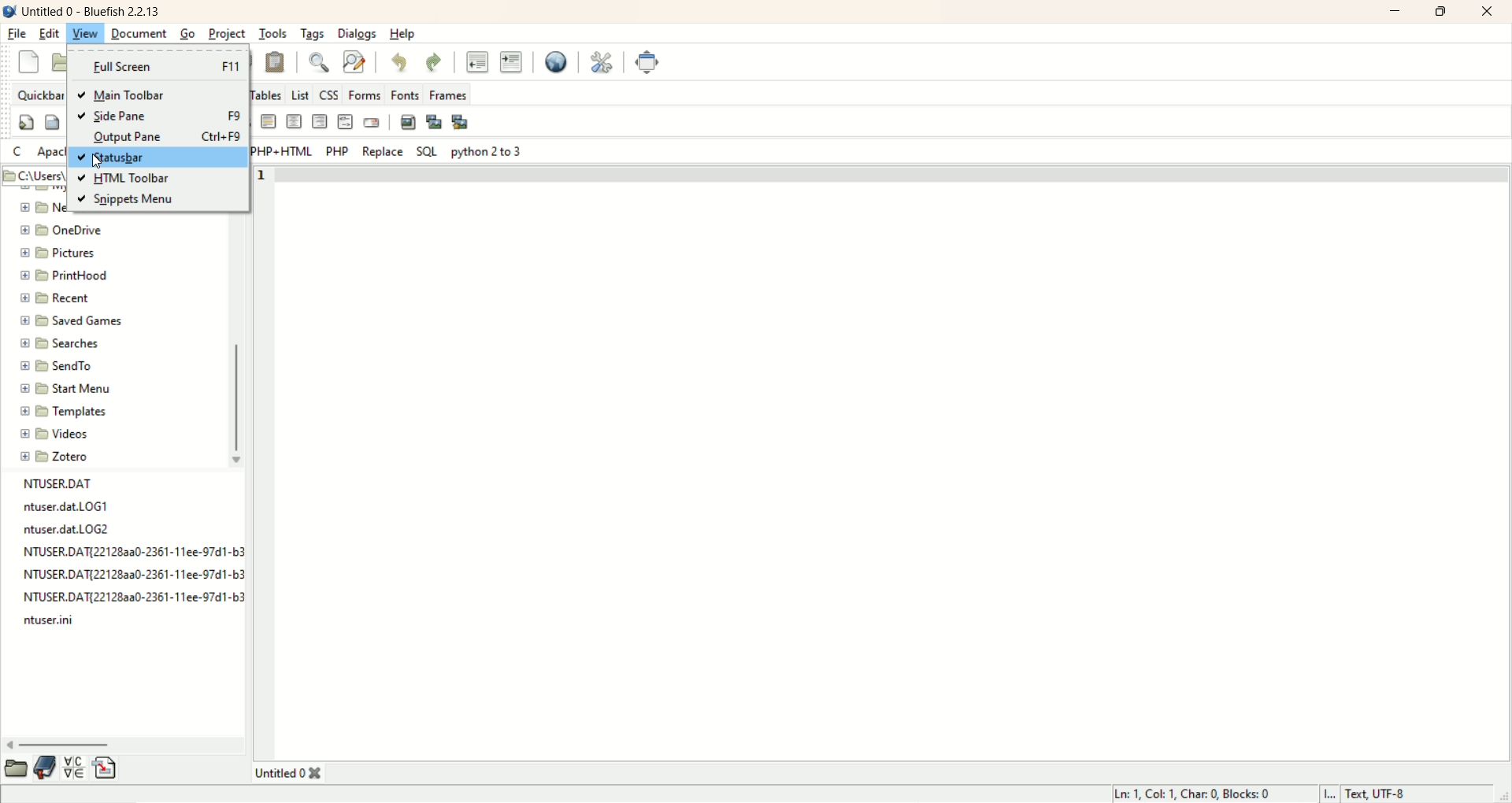 Image resolution: width=1512 pixels, height=803 pixels. Describe the element at coordinates (134, 94) in the screenshot. I see `main toolbar` at that location.